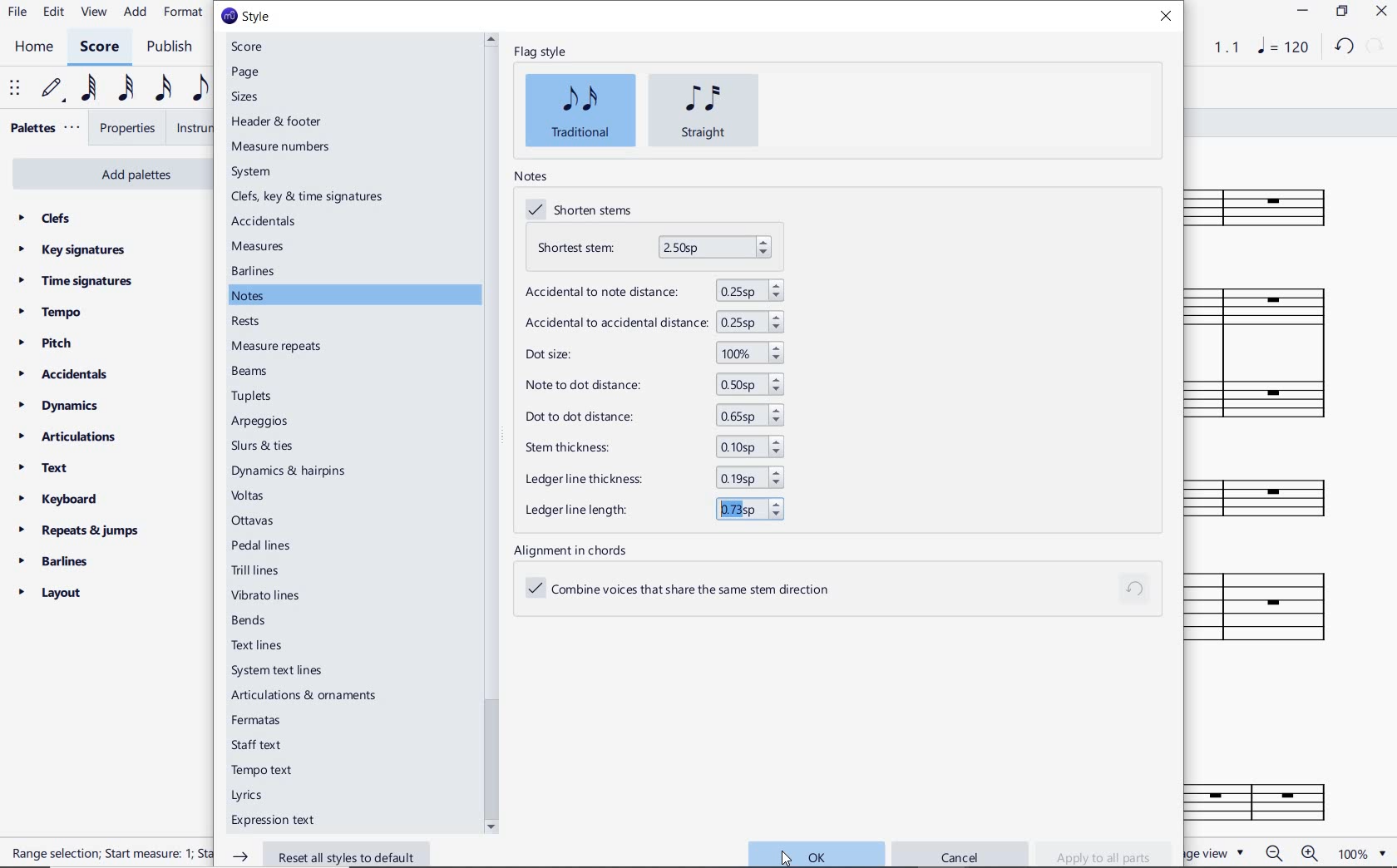 The image size is (1397, 868). What do you see at coordinates (1276, 606) in the screenshot?
I see `Instrument: Electric guitar` at bounding box center [1276, 606].